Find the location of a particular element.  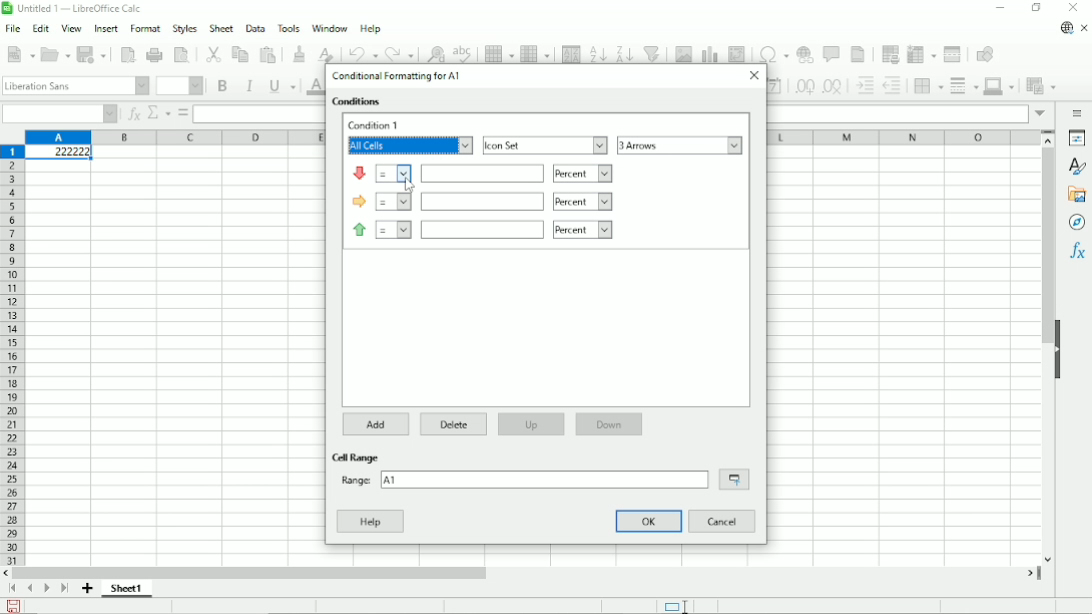

Row is located at coordinates (498, 51).